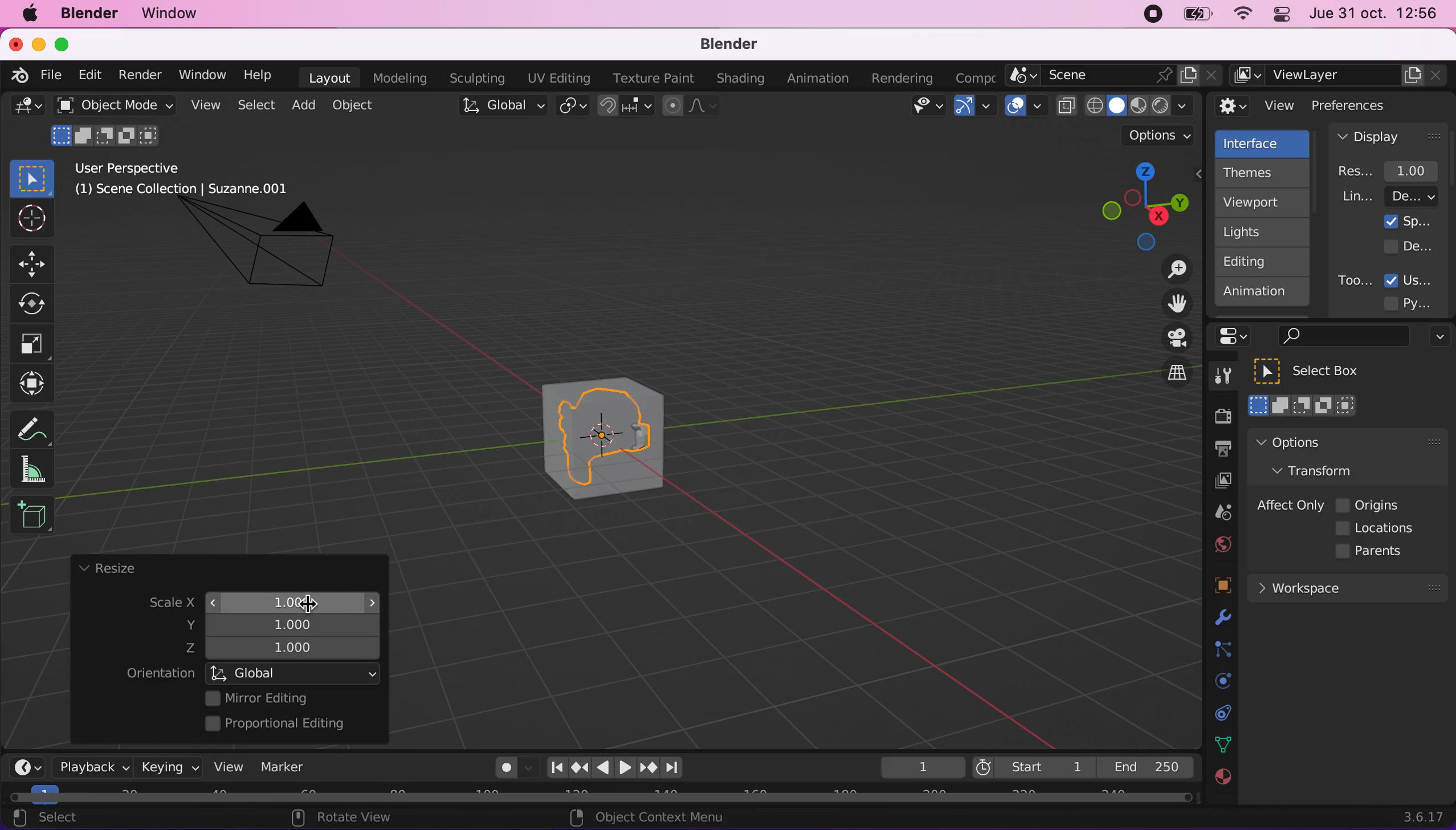 The width and height of the screenshot is (1456, 830). Describe the element at coordinates (821, 79) in the screenshot. I see `animation` at that location.